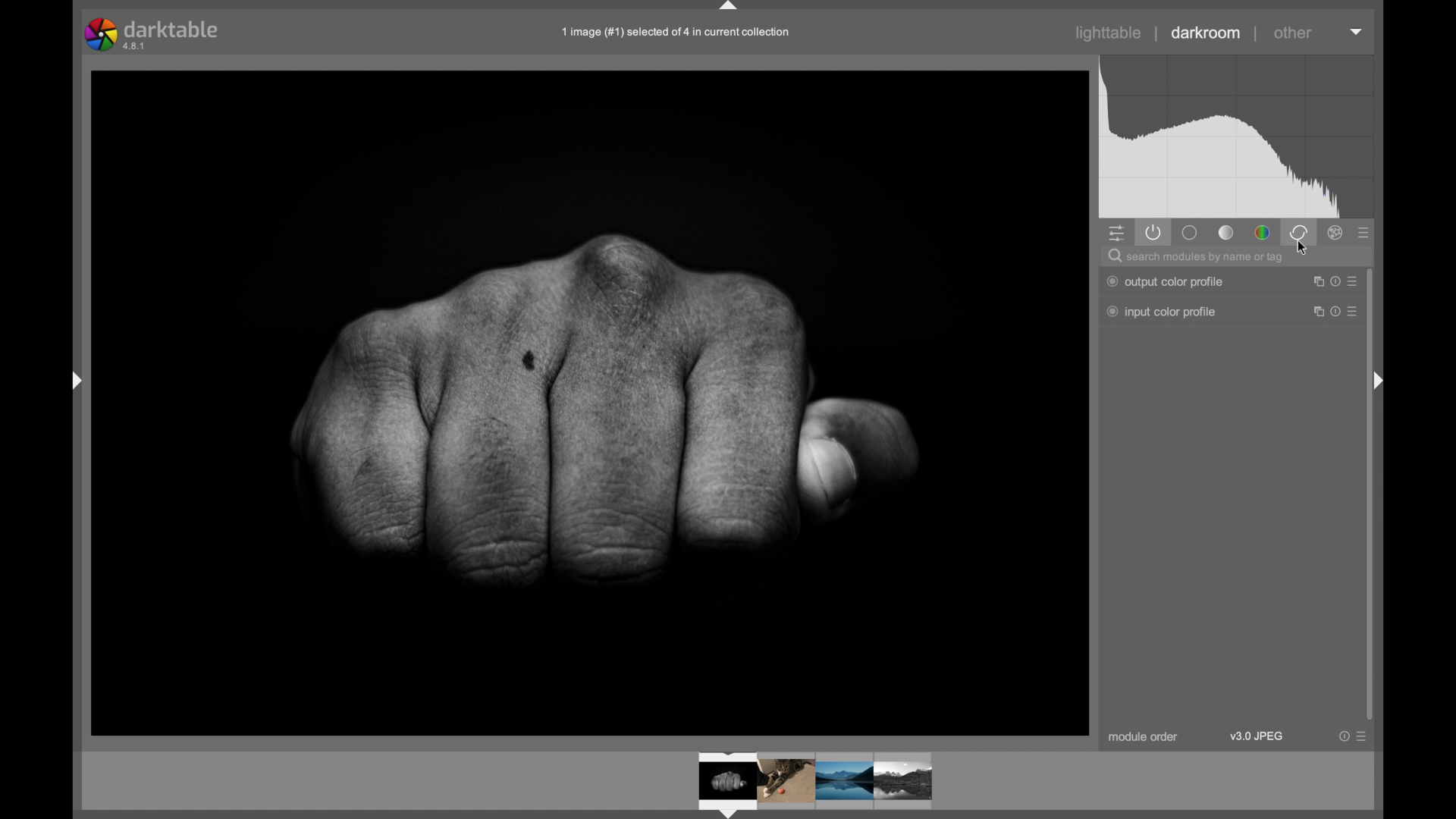 Image resolution: width=1456 pixels, height=819 pixels. Describe the element at coordinates (1236, 137) in the screenshot. I see `histogram` at that location.